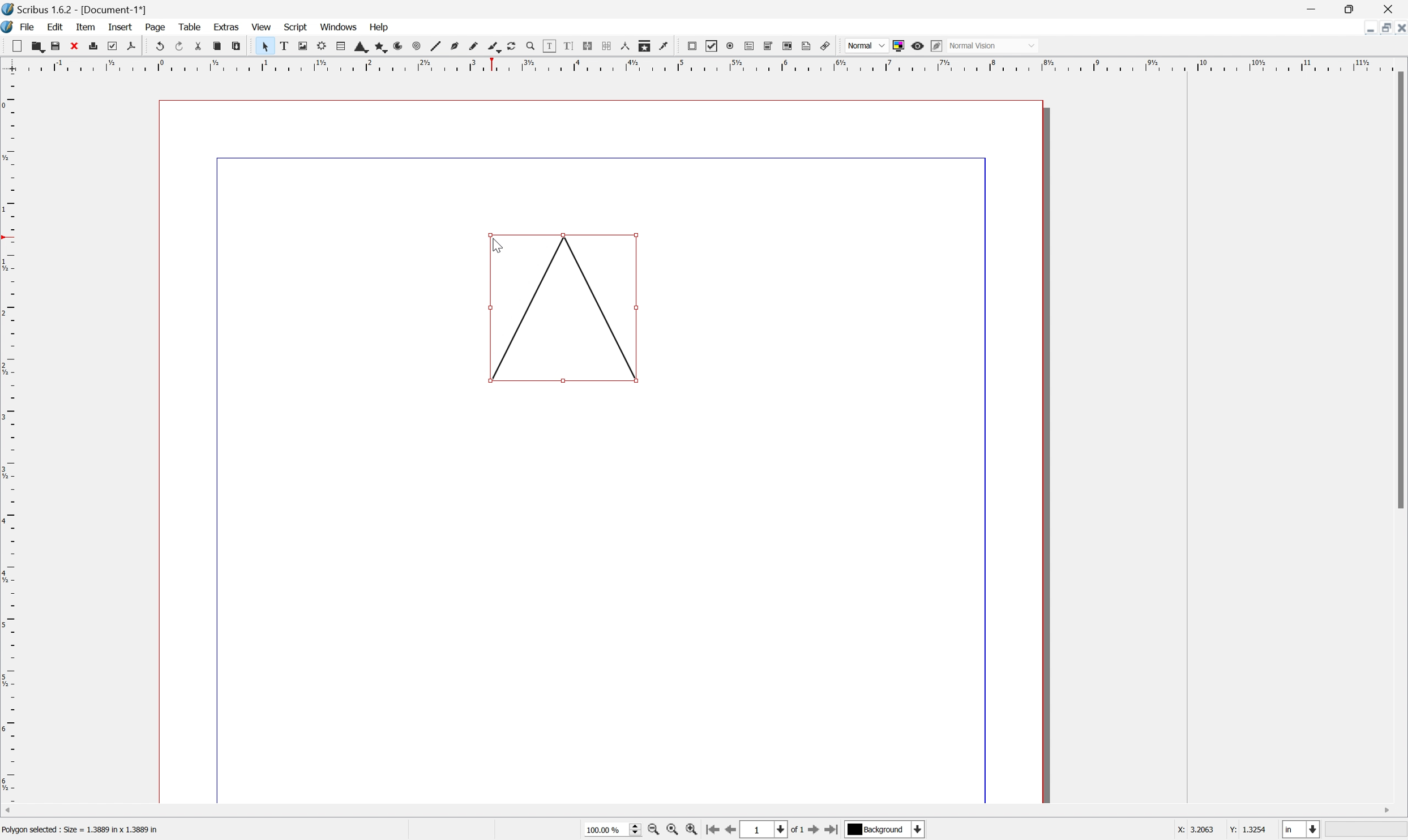 This screenshot has width=1408, height=840. Describe the element at coordinates (645, 47) in the screenshot. I see `Copy item properties` at that location.